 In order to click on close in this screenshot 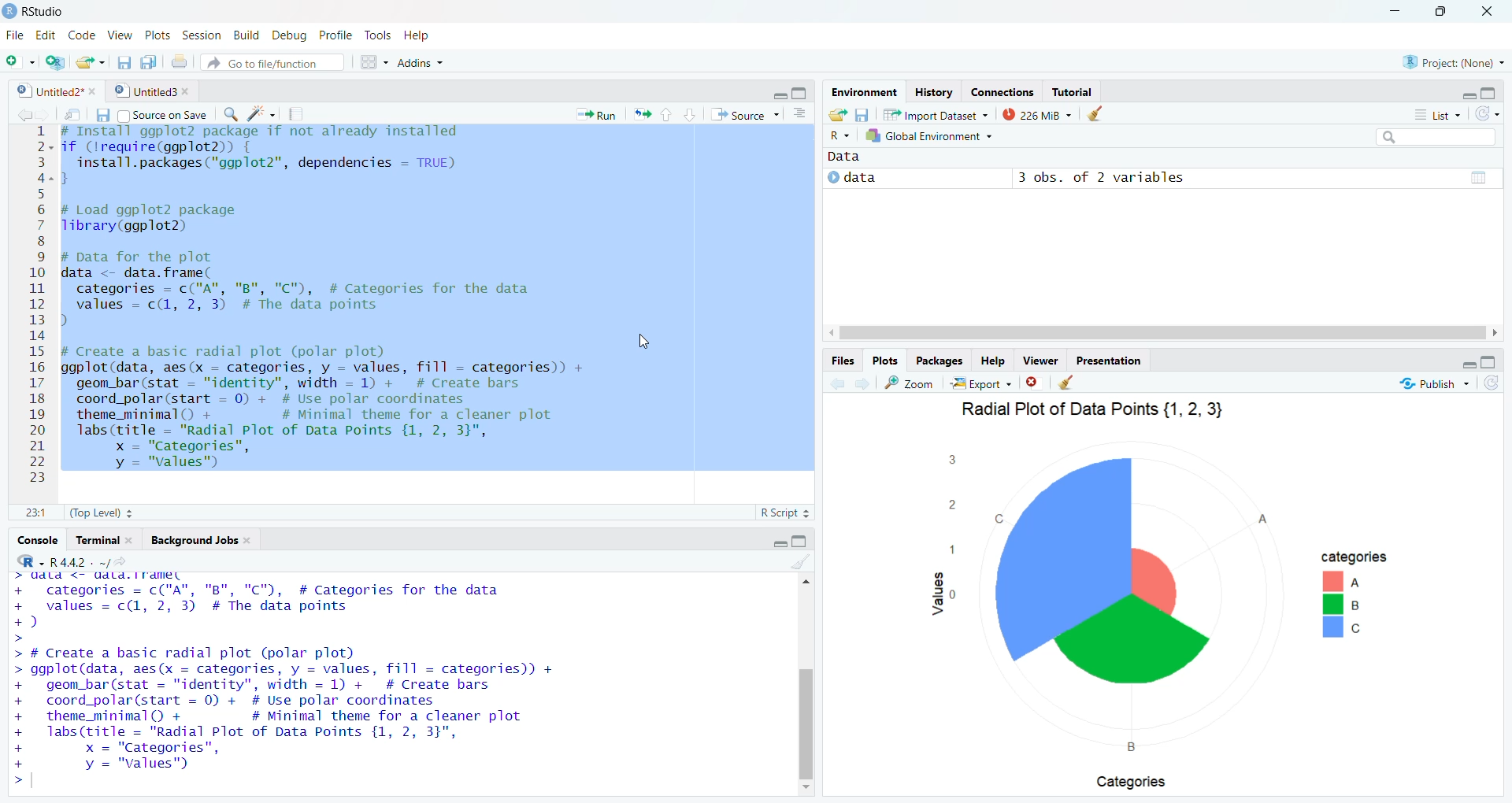, I will do `click(1035, 384)`.